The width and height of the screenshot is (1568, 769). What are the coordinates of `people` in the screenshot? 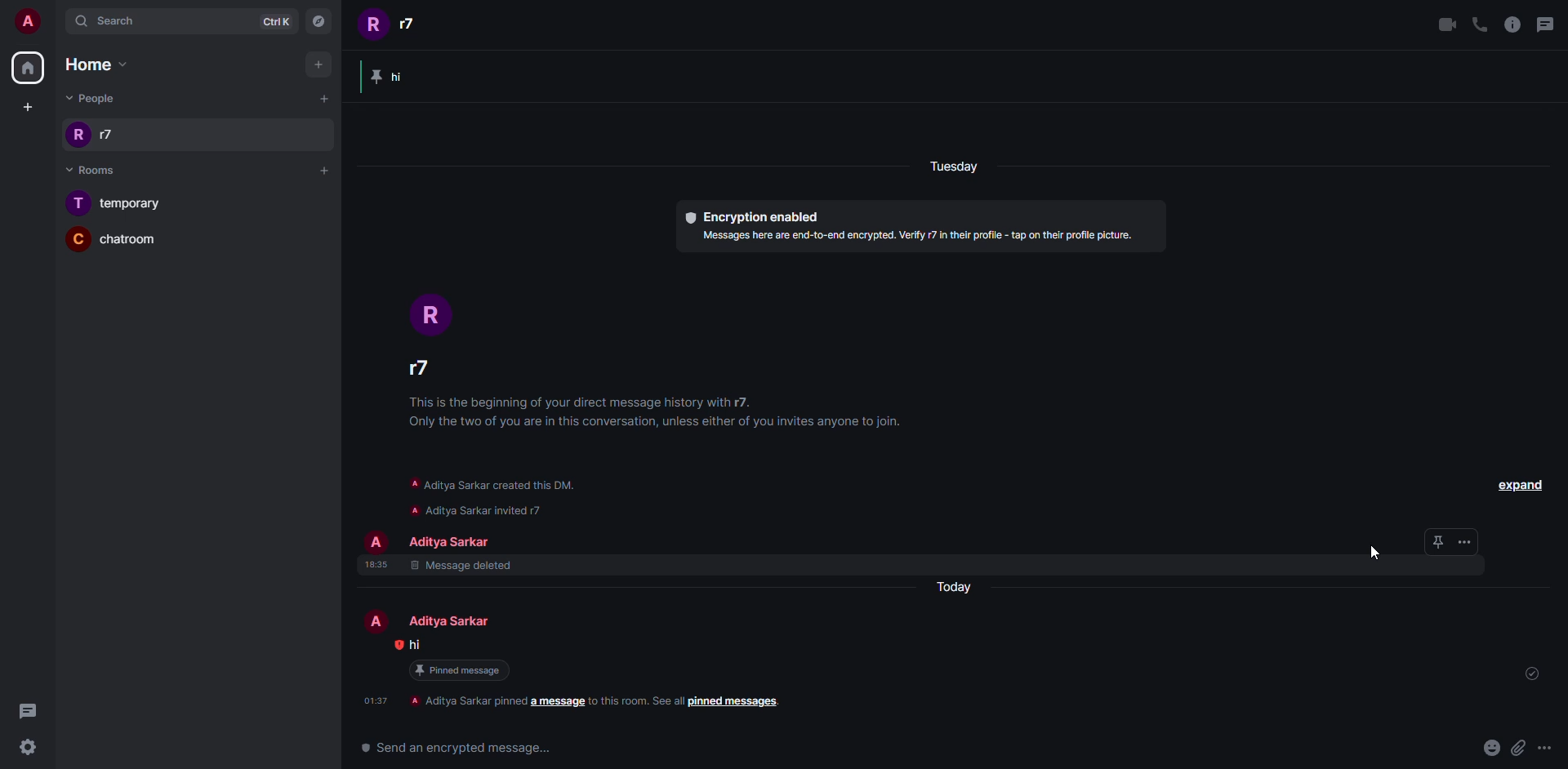 It's located at (91, 96).